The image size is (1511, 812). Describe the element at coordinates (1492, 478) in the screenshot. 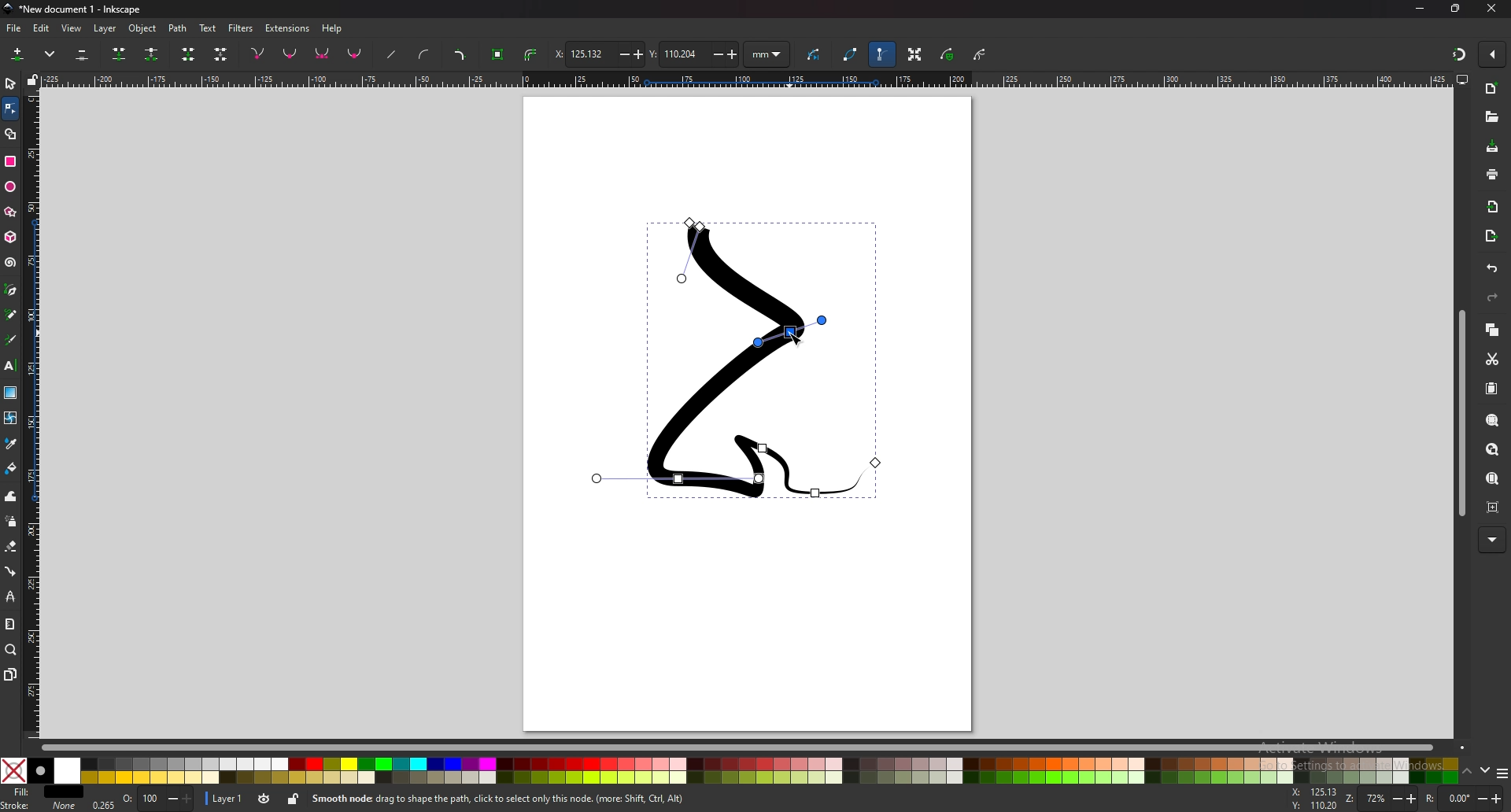

I see `zoom page` at that location.